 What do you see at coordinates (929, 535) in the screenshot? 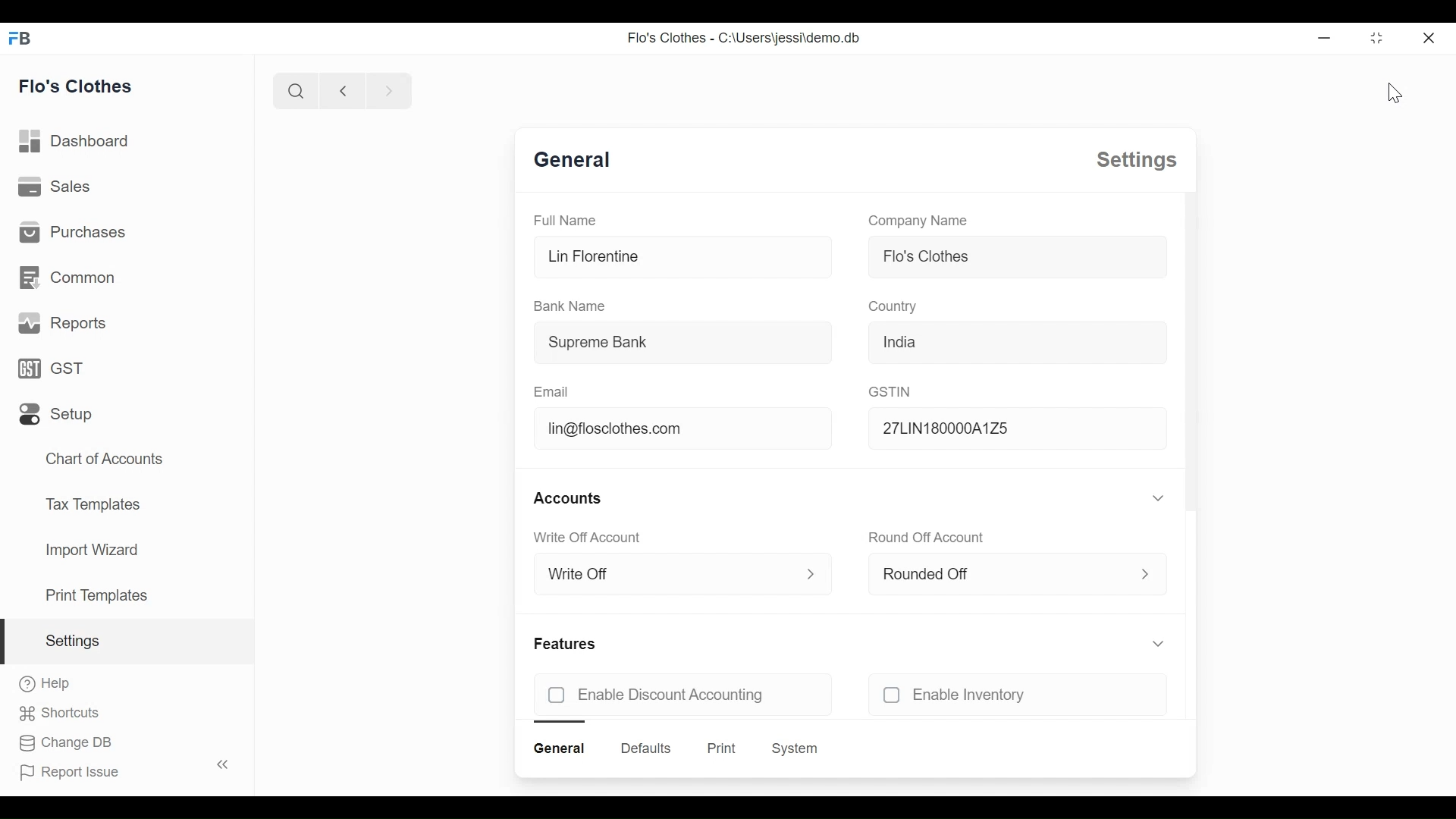
I see `Round Off Account` at bounding box center [929, 535].